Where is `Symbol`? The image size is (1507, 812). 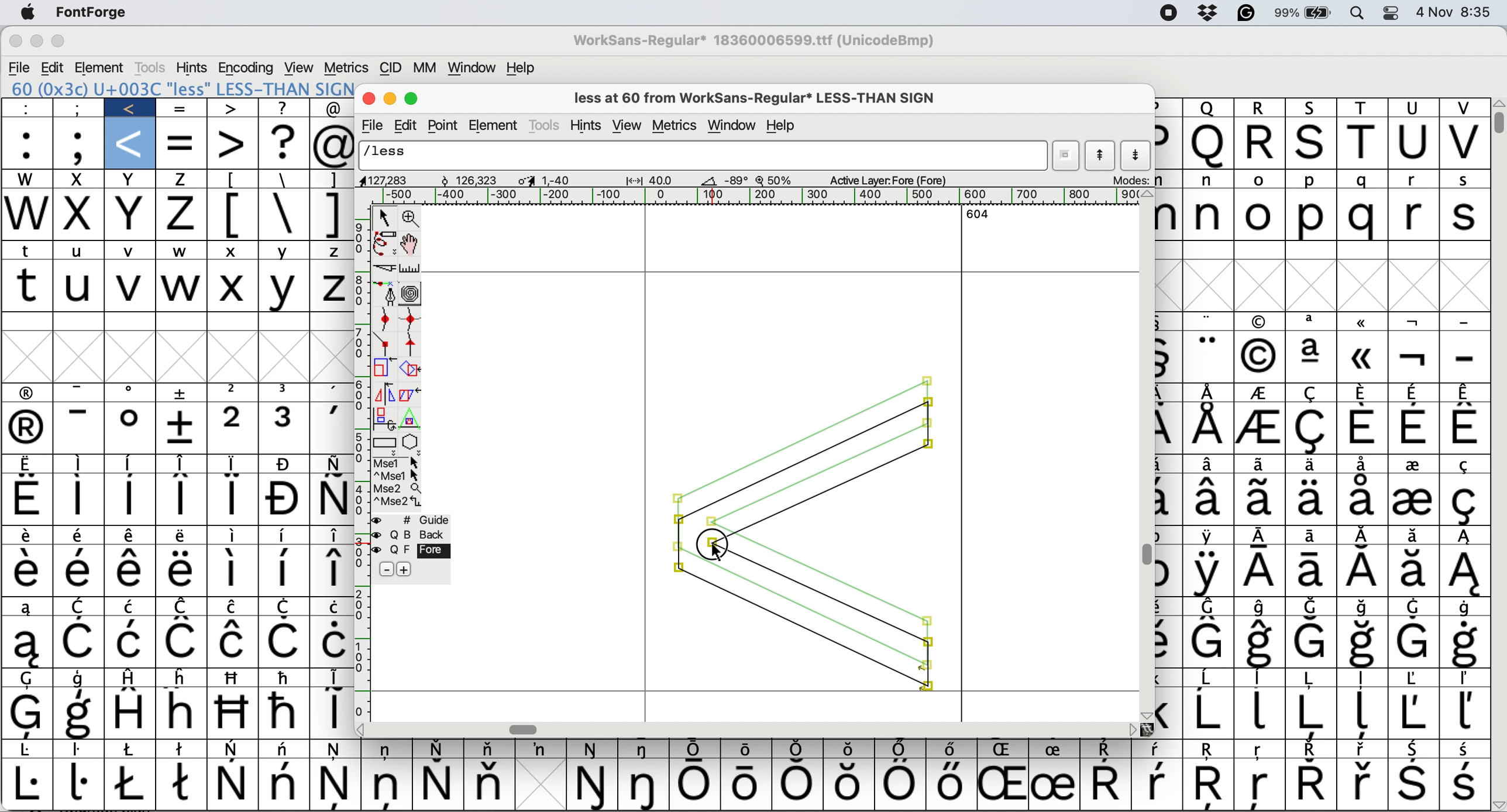 Symbol is located at coordinates (901, 783).